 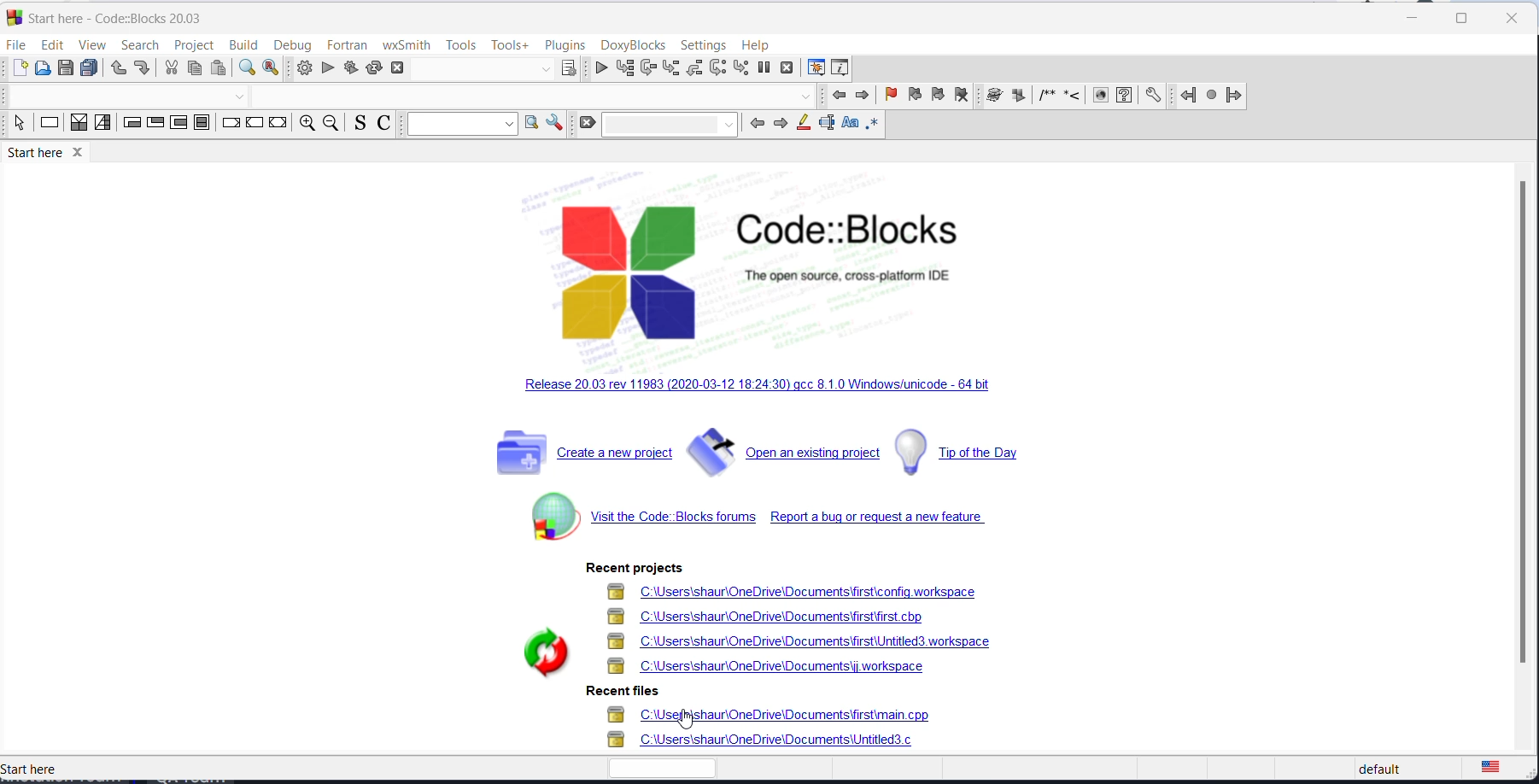 I want to click on cursor, so click(x=691, y=723).